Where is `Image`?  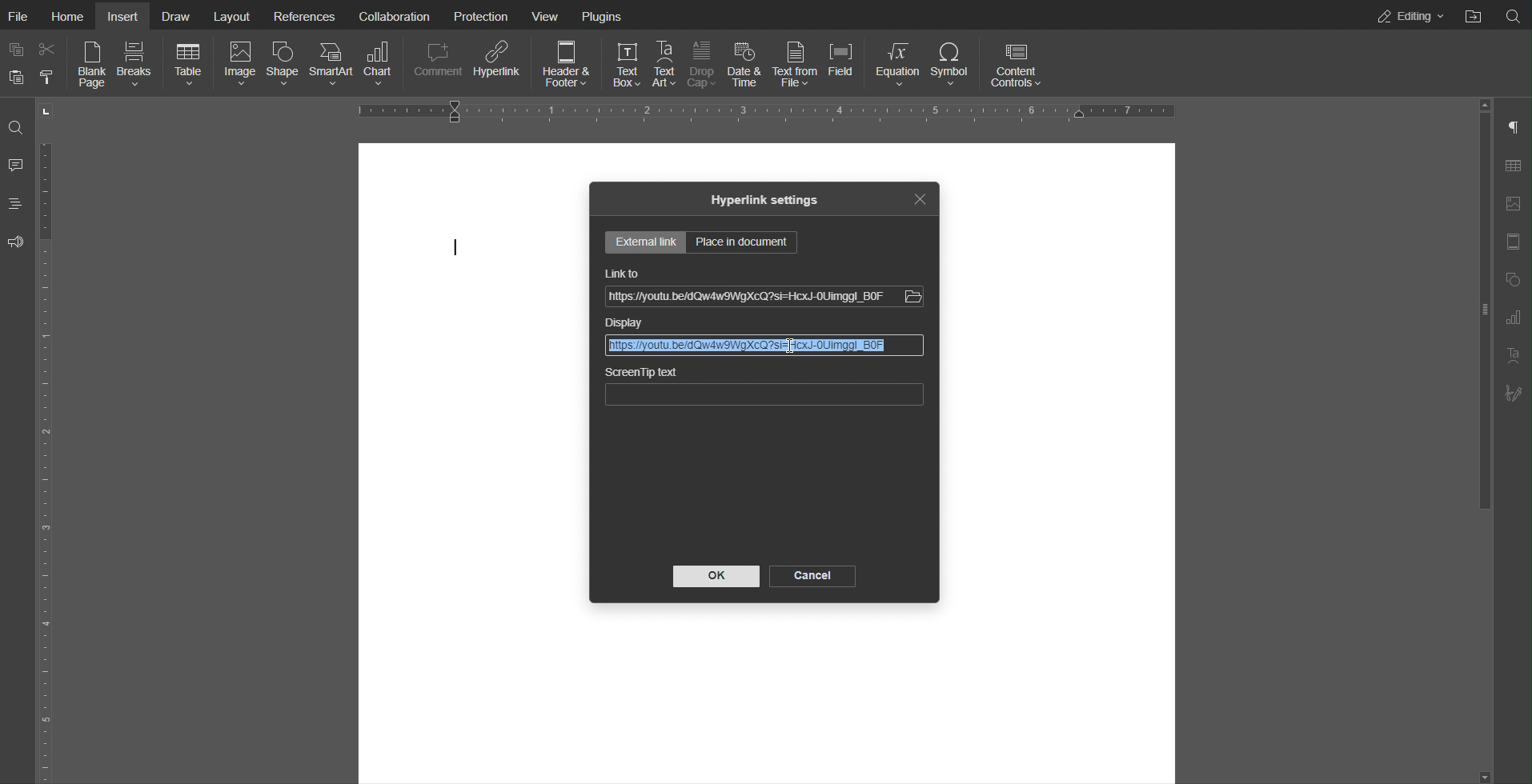 Image is located at coordinates (241, 65).